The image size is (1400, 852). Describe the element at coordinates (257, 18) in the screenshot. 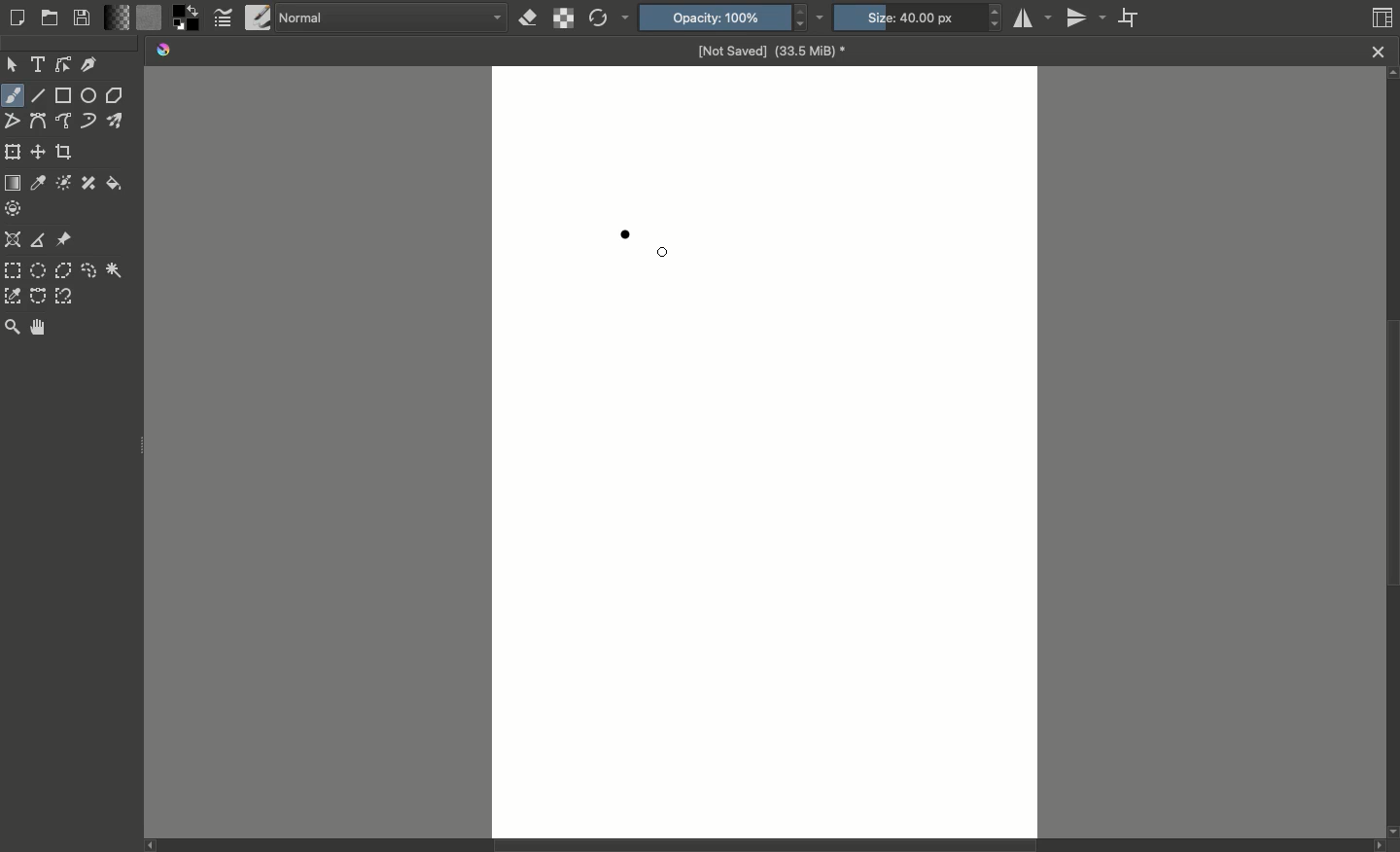

I see `Choose brush preset` at that location.